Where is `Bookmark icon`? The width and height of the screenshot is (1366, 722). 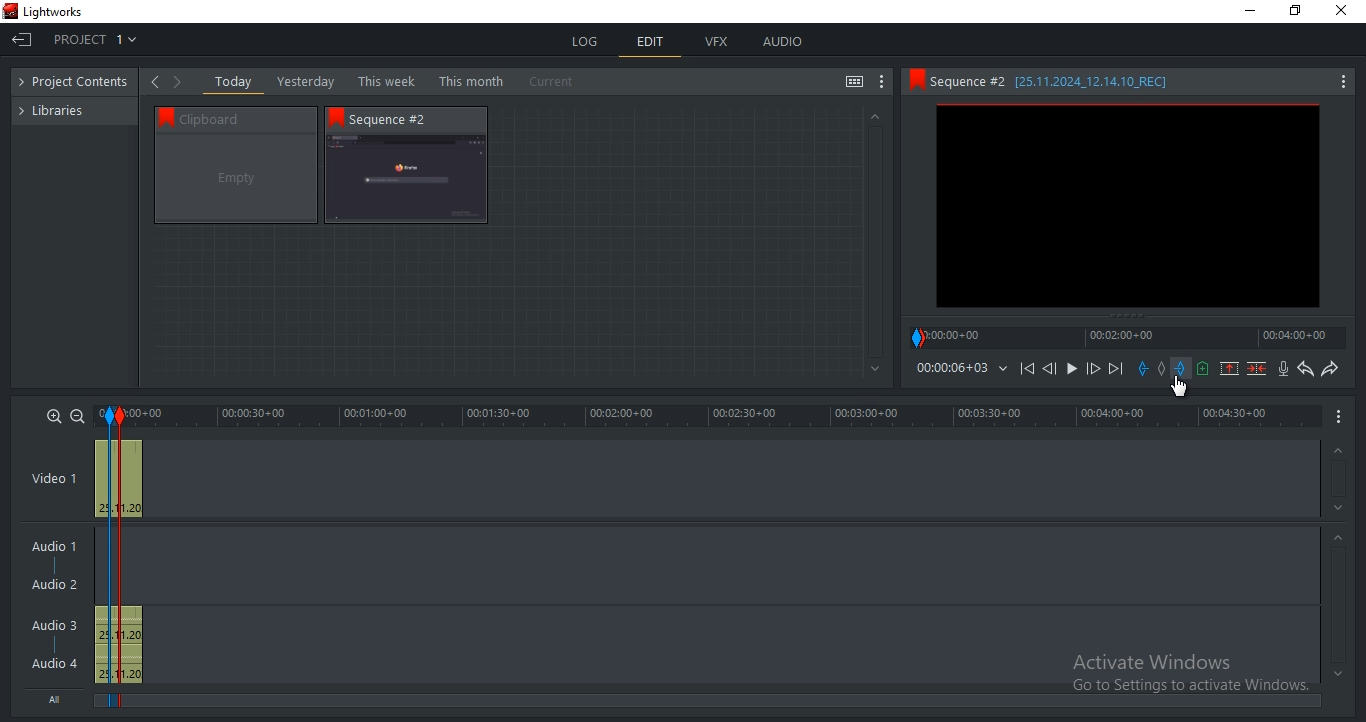 Bookmark icon is located at coordinates (162, 116).